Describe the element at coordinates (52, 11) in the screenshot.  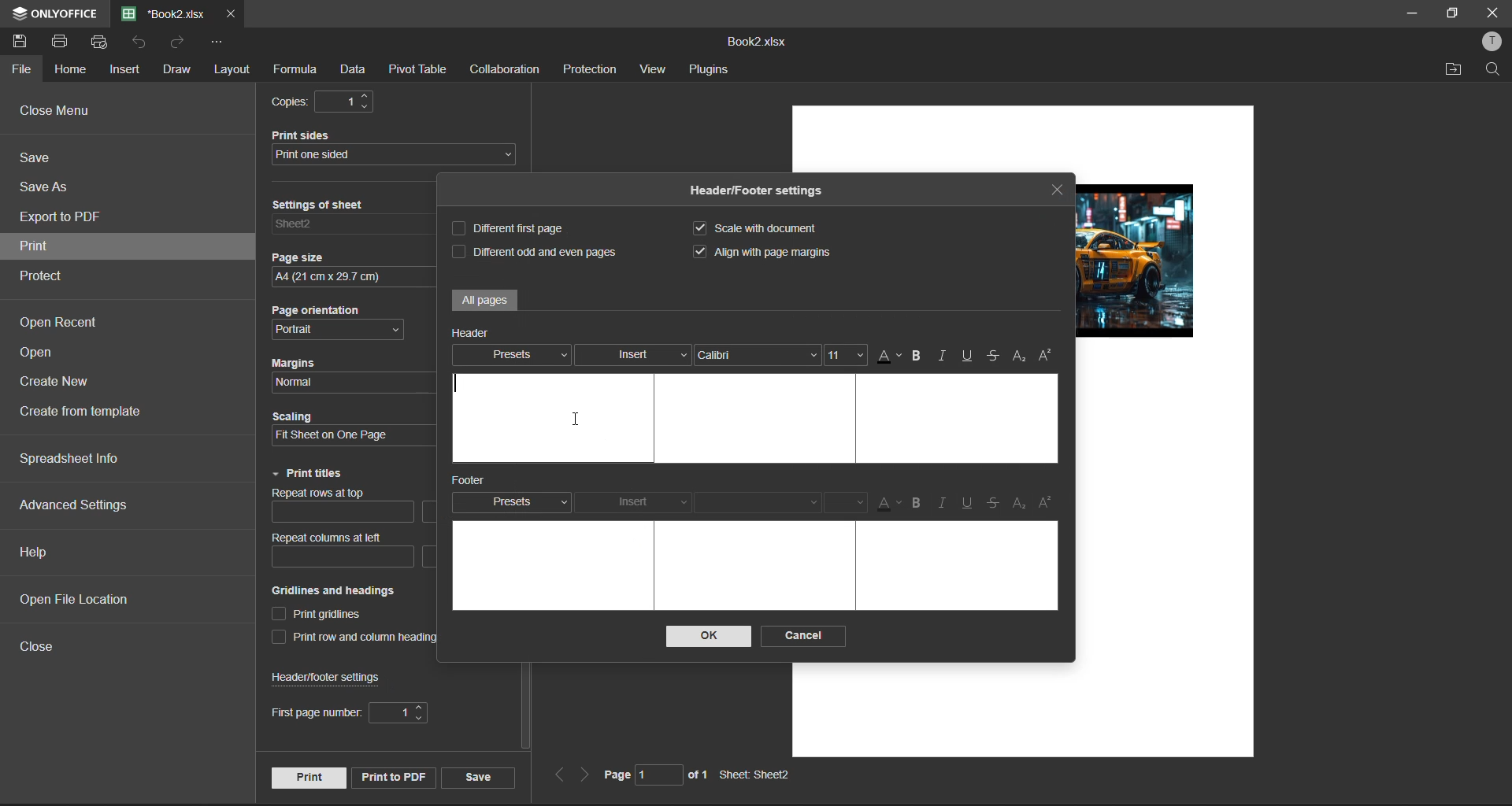
I see `app name` at that location.